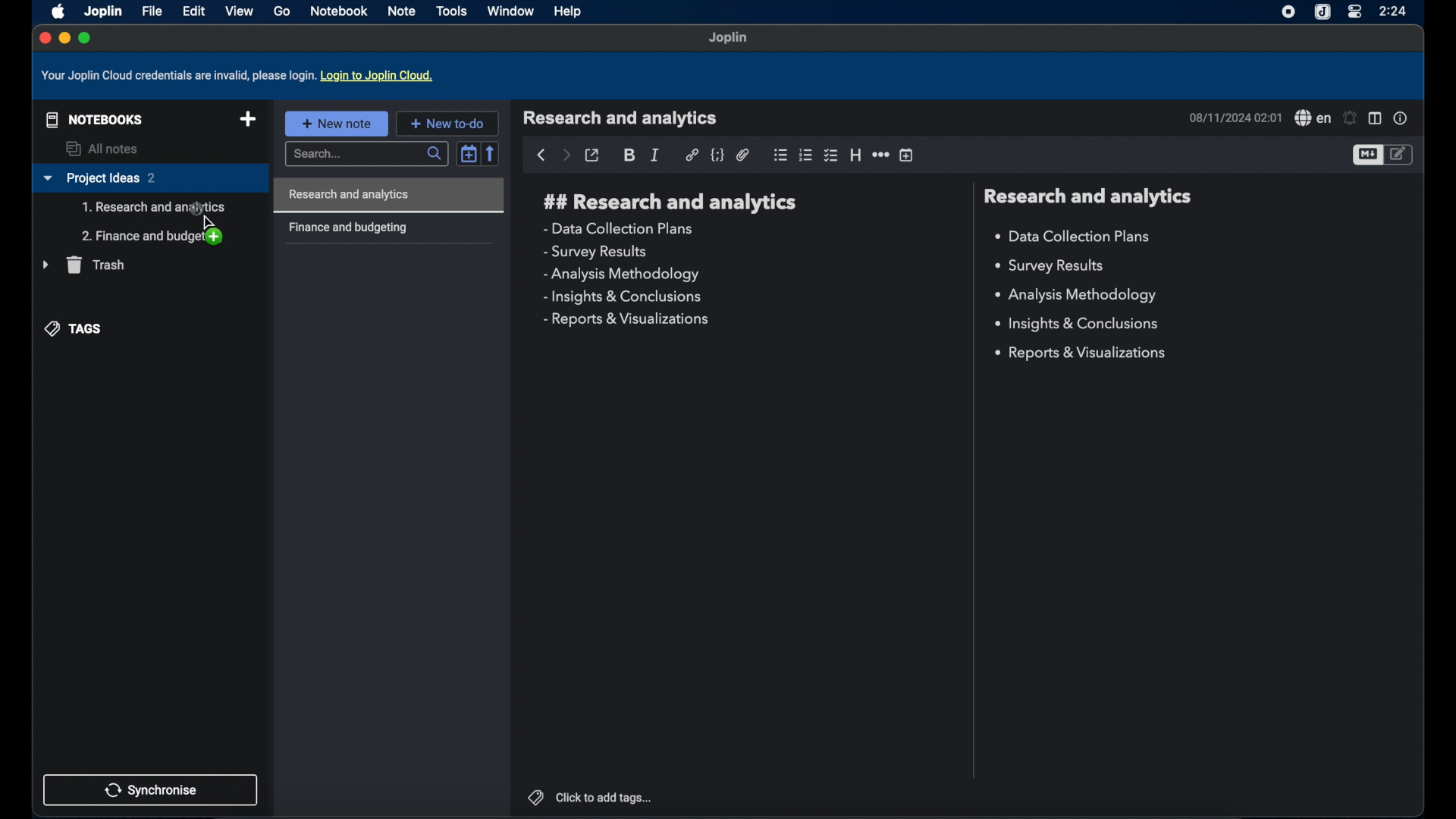 This screenshot has height=819, width=1456. I want to click on survey results, so click(595, 253).